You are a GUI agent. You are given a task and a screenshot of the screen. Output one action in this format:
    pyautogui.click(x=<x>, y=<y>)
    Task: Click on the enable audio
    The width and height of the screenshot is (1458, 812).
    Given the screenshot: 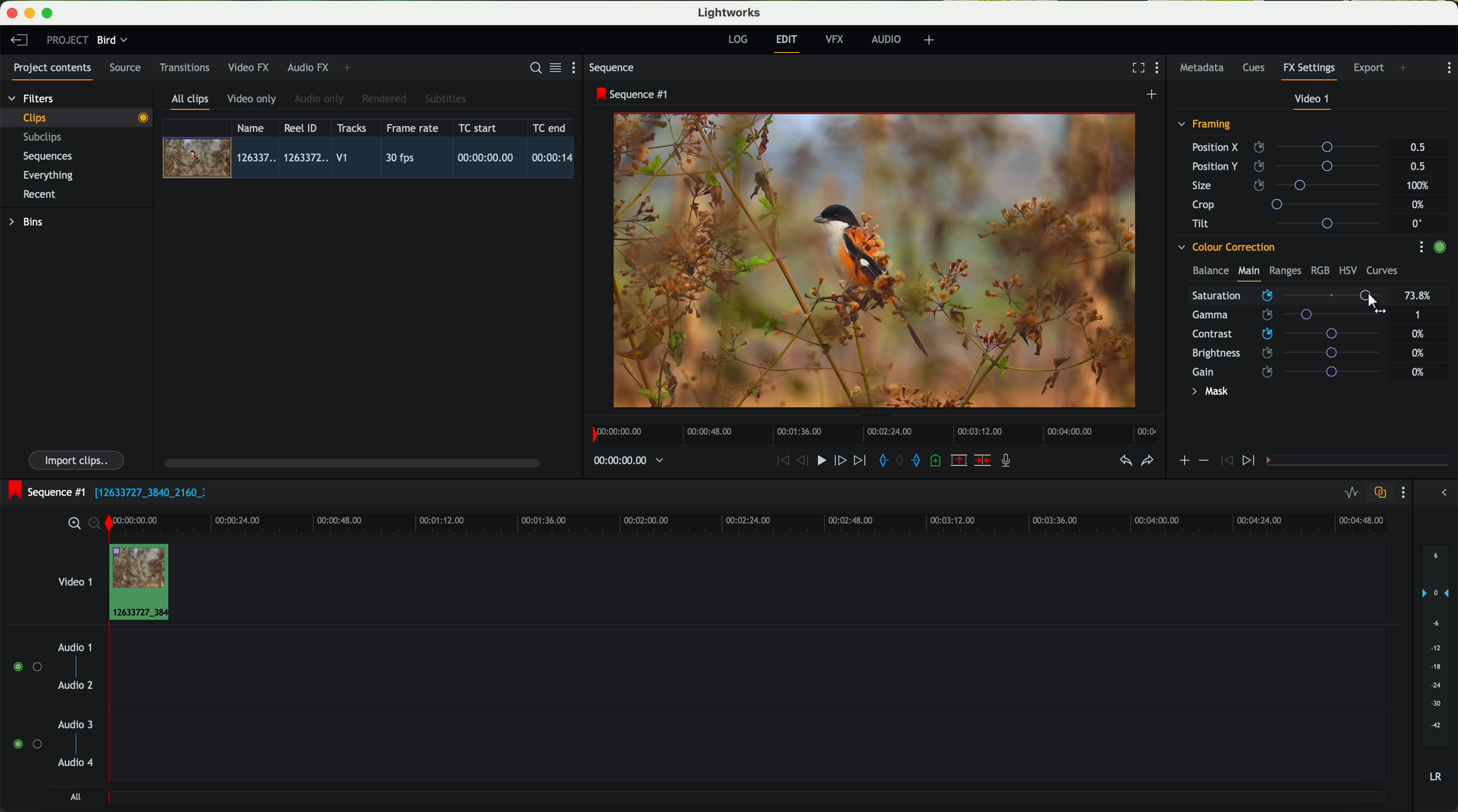 What is the action you would take?
    pyautogui.click(x=27, y=744)
    